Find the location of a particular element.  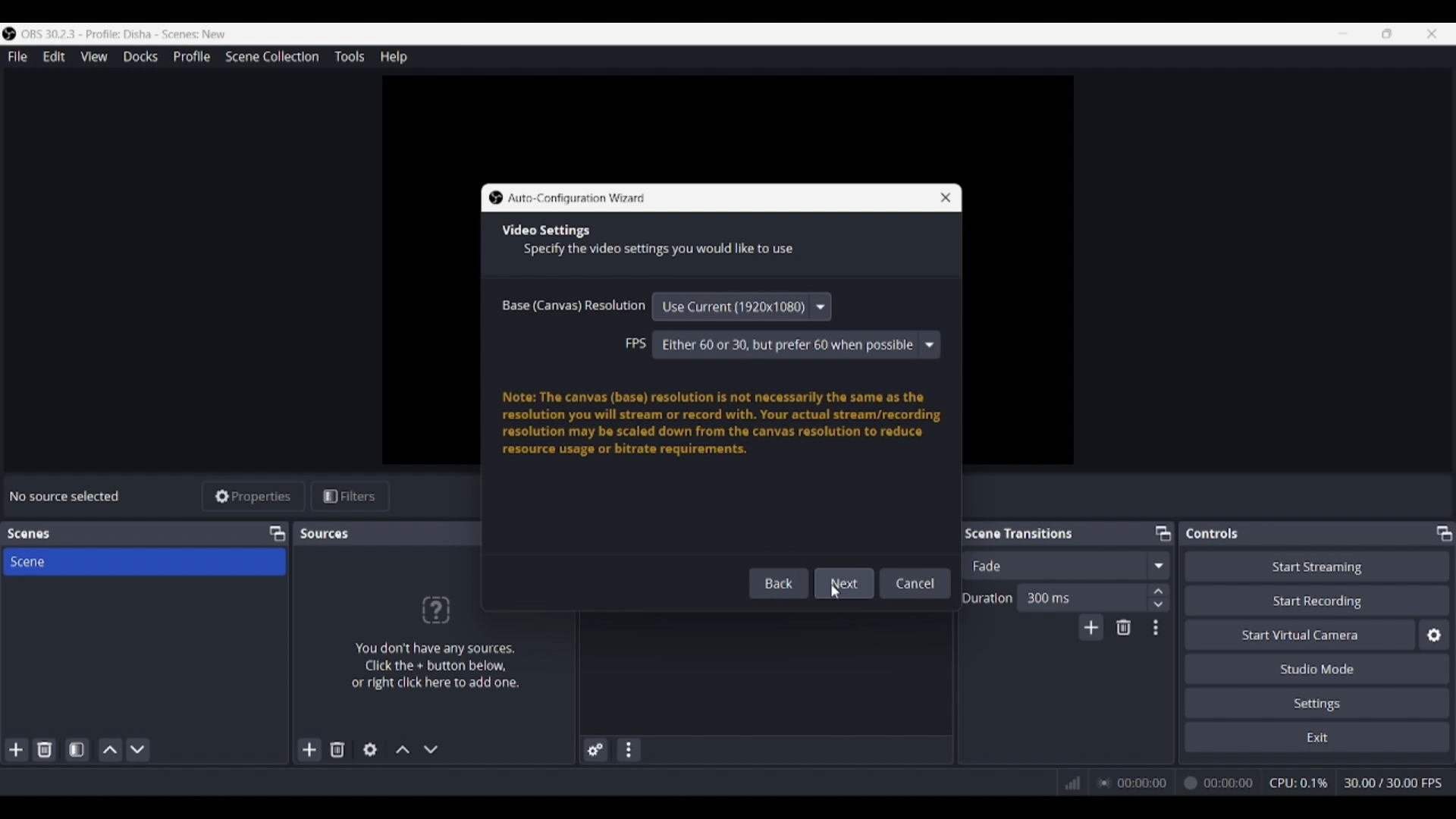

Float Scene transitions panel is located at coordinates (1163, 533).